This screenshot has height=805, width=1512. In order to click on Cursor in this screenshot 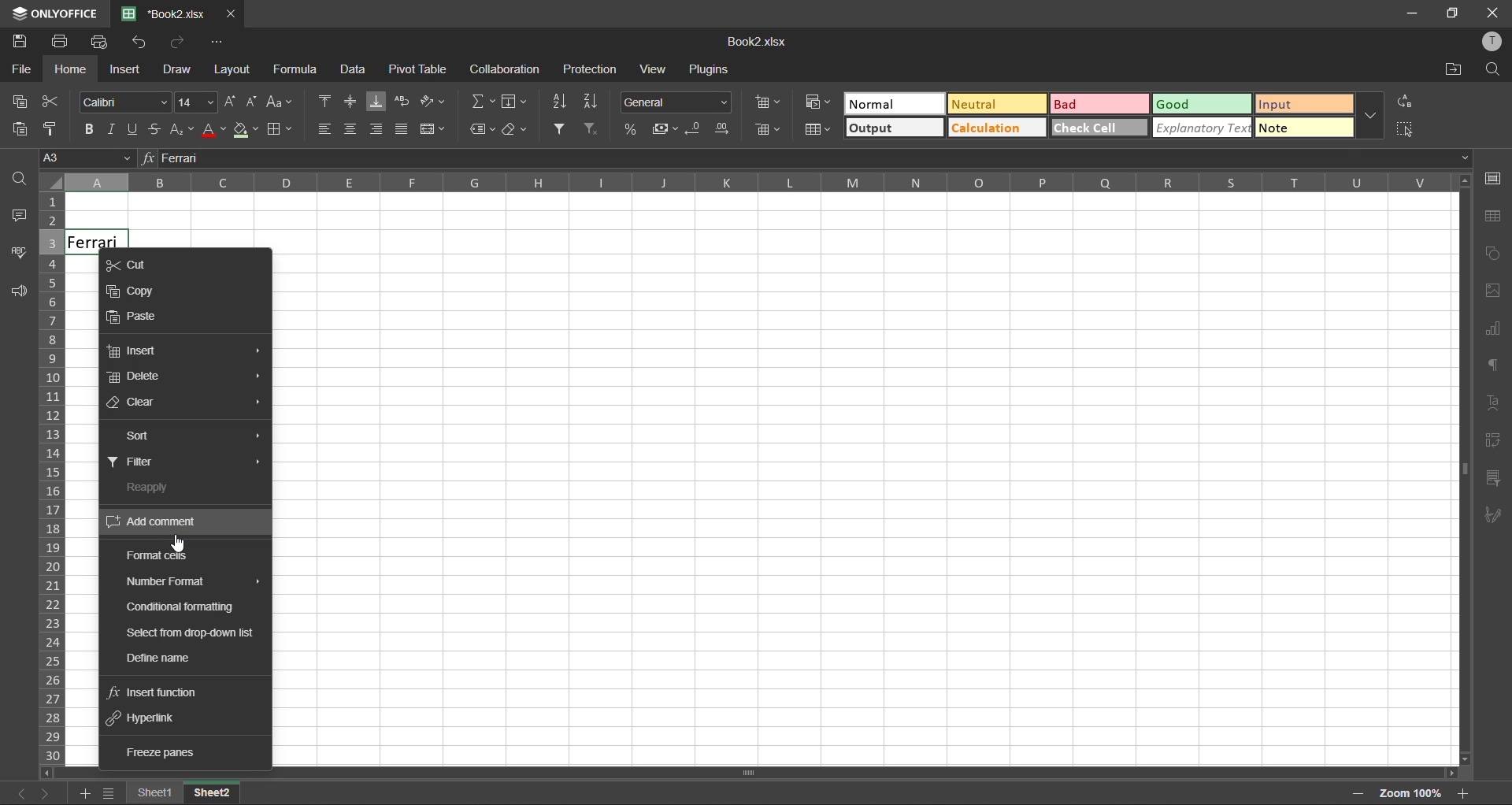, I will do `click(176, 544)`.